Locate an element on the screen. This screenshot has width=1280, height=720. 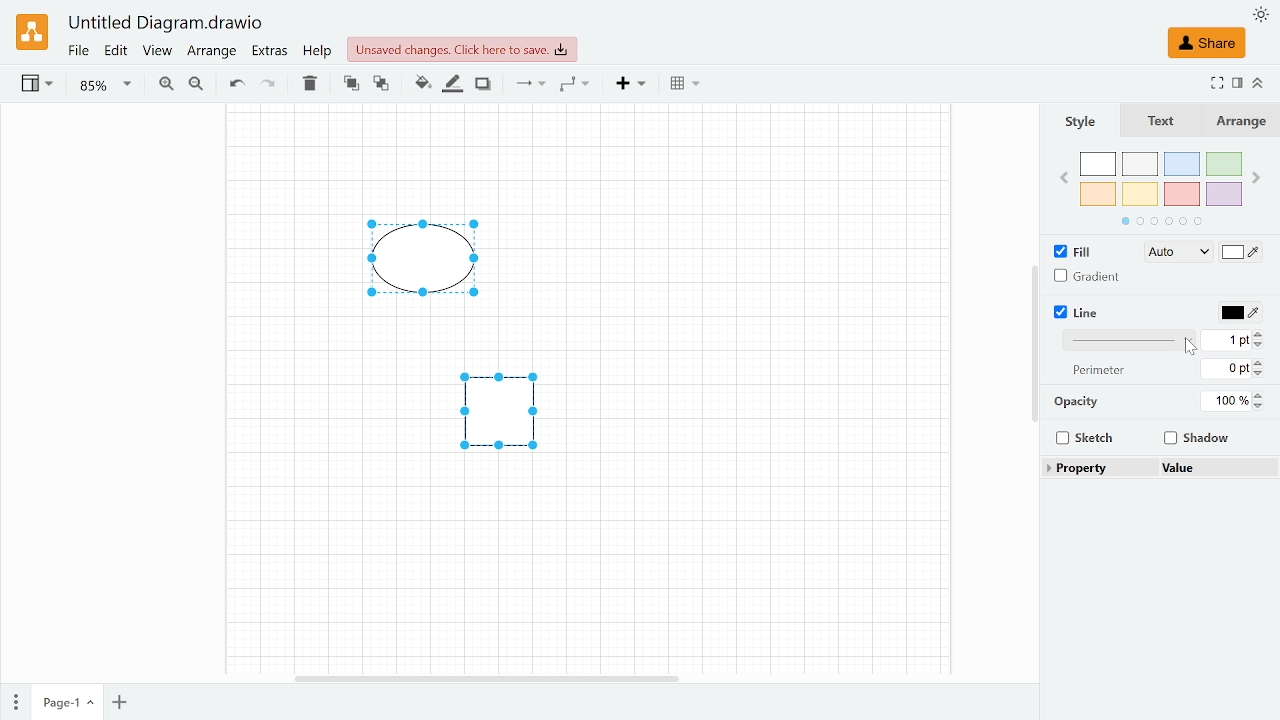
Collapse is located at coordinates (1259, 82).